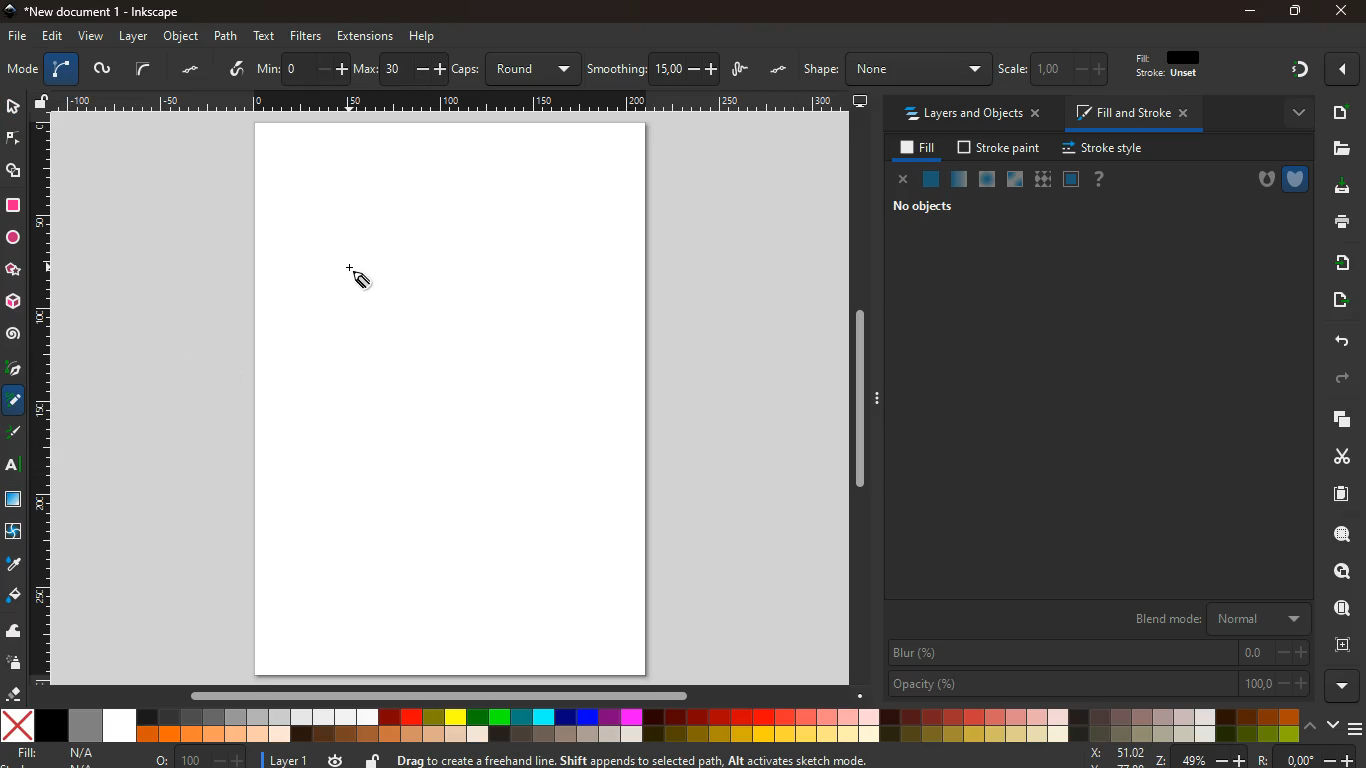 The width and height of the screenshot is (1366, 768). Describe the element at coordinates (960, 180) in the screenshot. I see `opacity` at that location.